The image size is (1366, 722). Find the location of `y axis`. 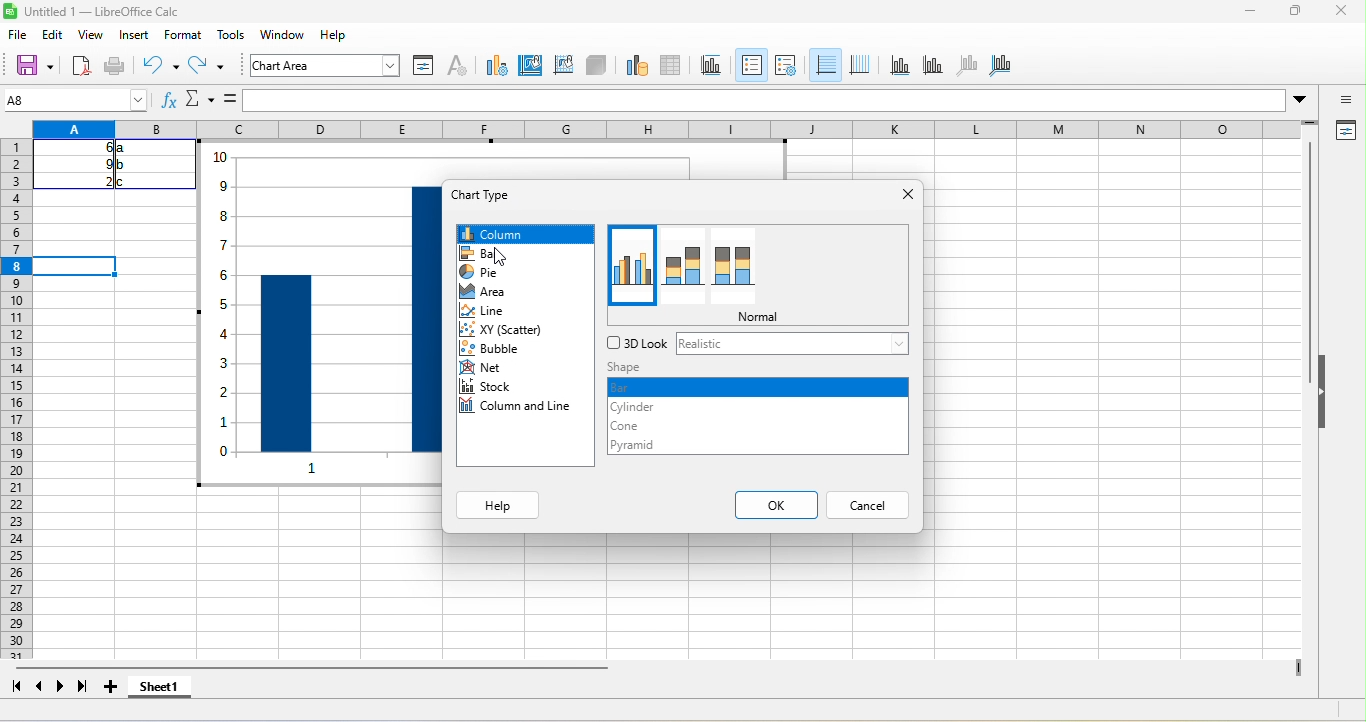

y axis is located at coordinates (931, 67).